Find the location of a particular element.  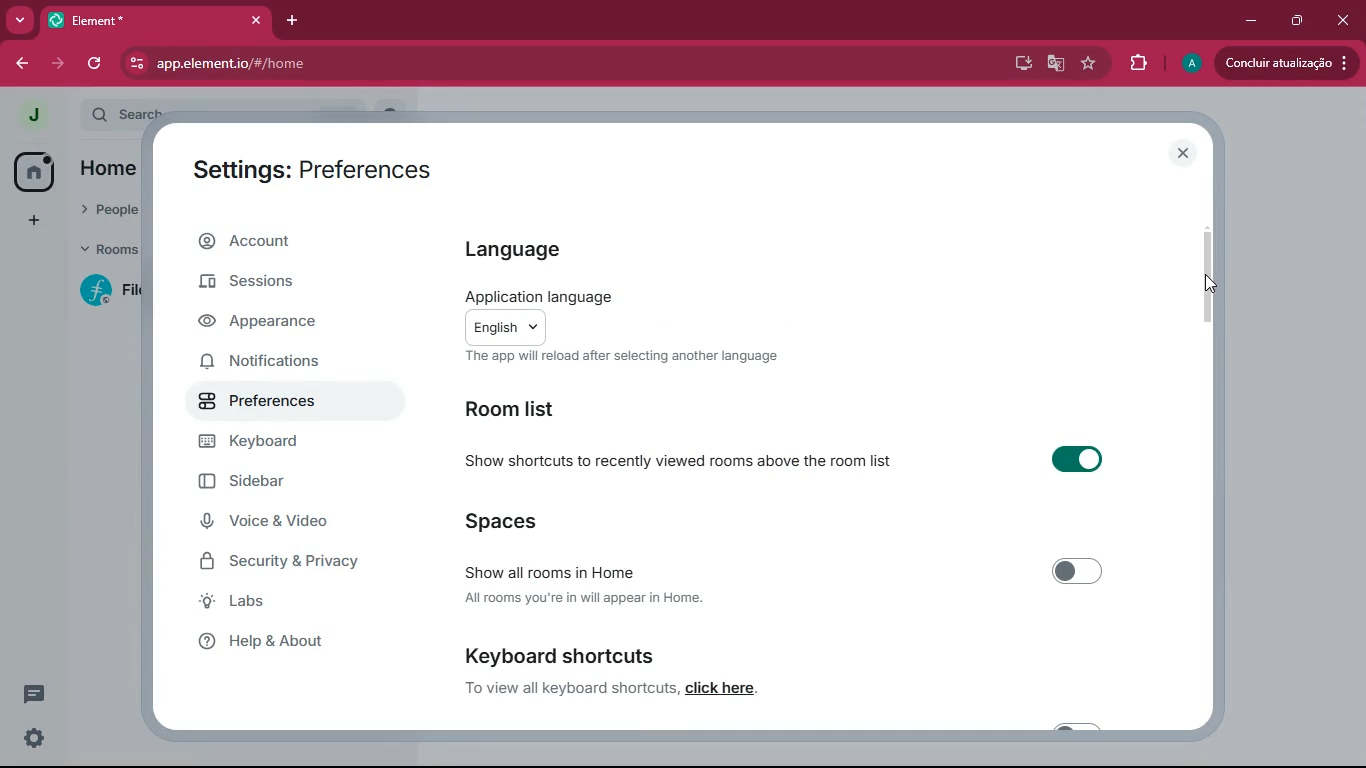

keyboard shortcuts is located at coordinates (561, 657).